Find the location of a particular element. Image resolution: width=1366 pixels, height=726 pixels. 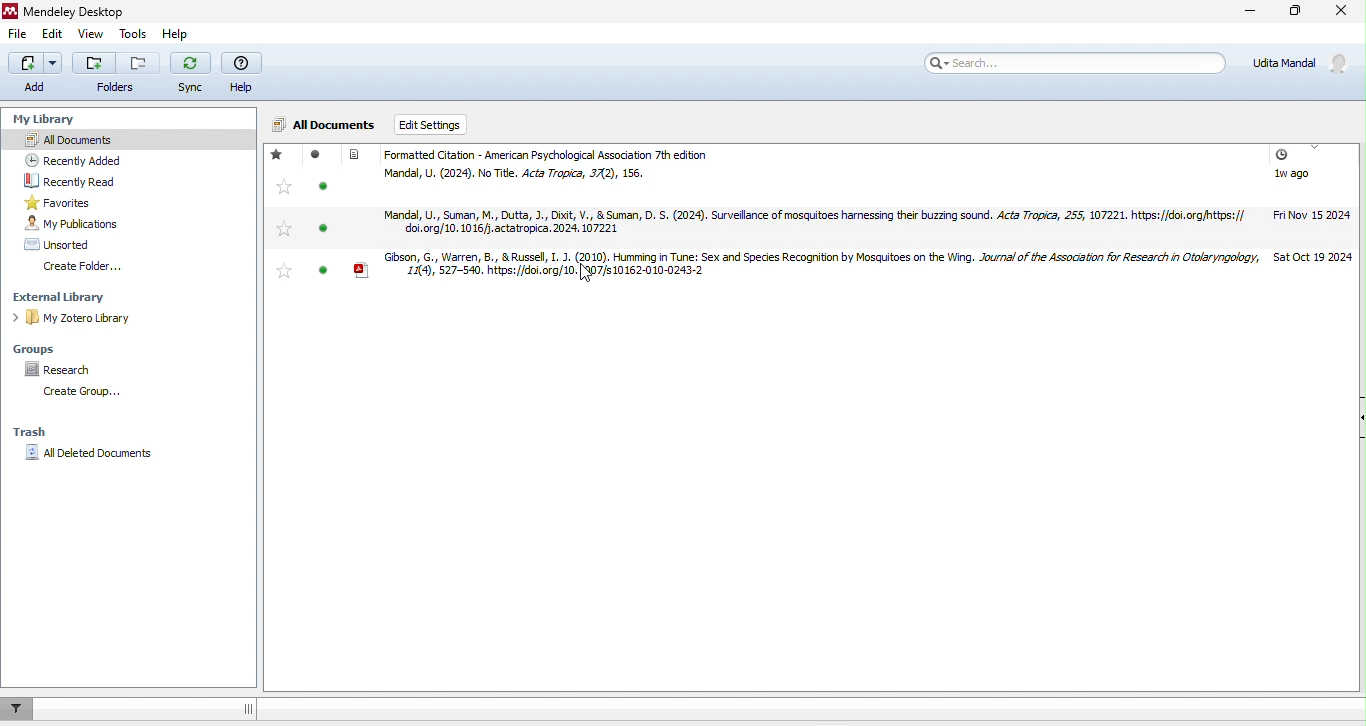

all deleted documents is located at coordinates (89, 456).